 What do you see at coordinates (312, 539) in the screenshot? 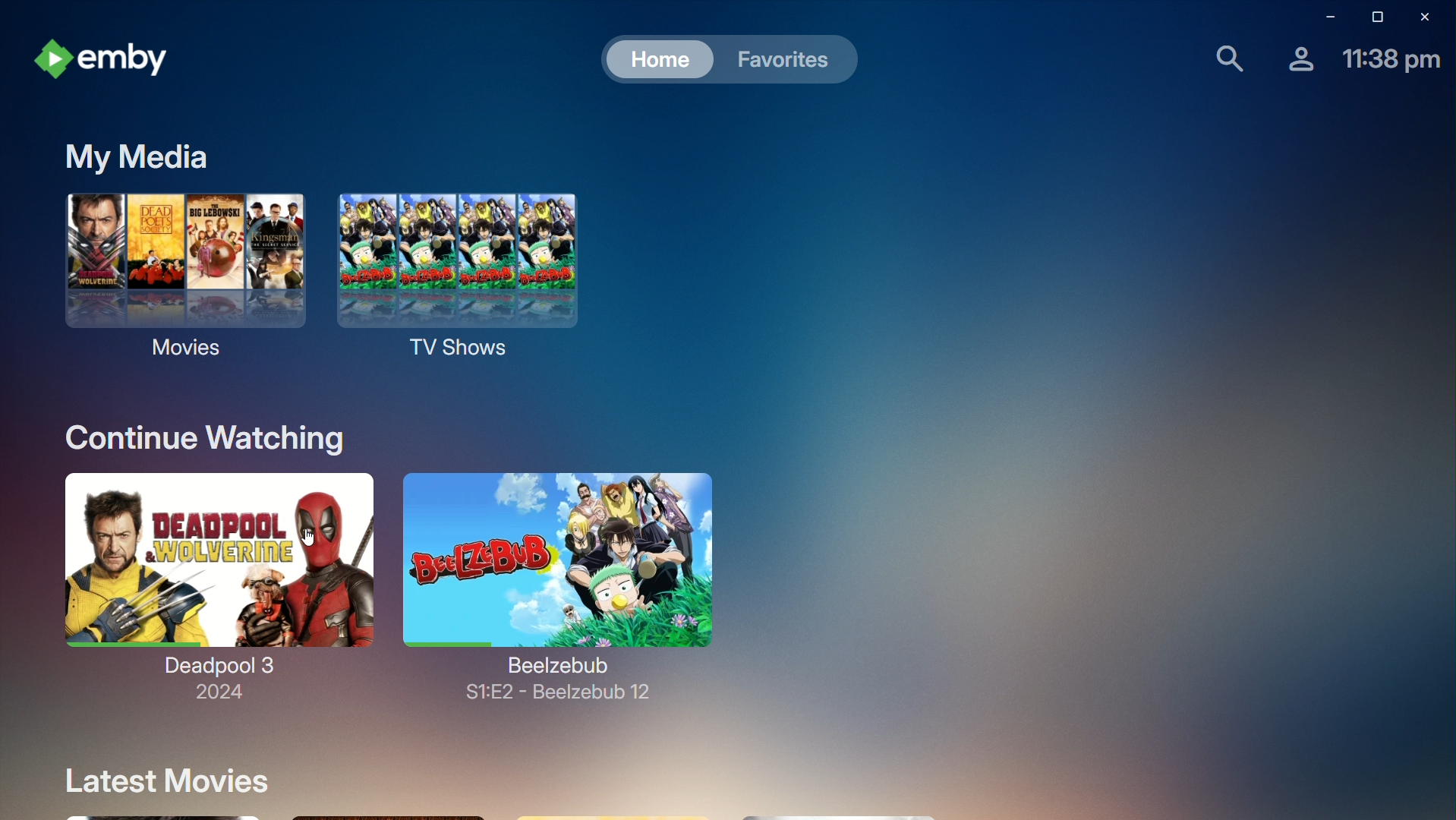
I see `cursor` at bounding box center [312, 539].